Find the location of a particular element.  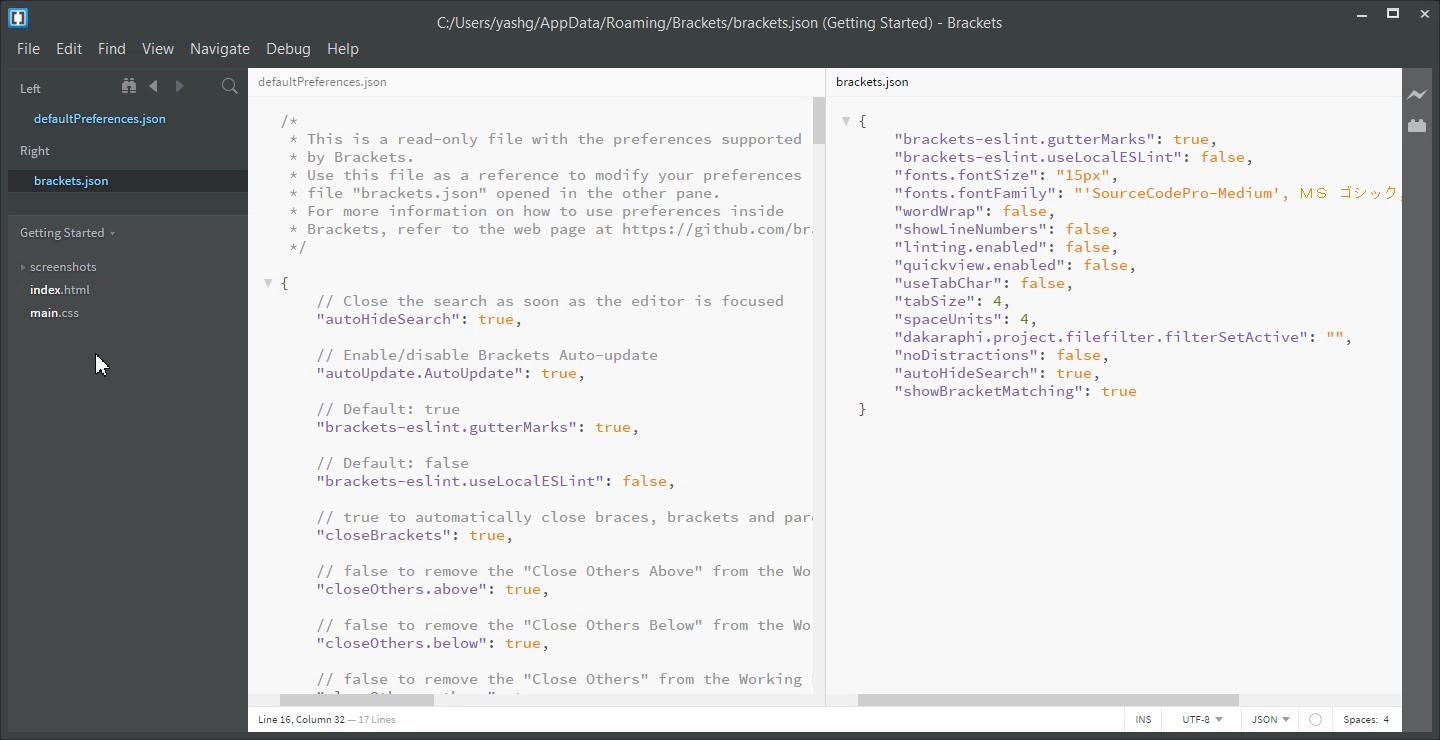

UTF-8 is located at coordinates (1201, 719).